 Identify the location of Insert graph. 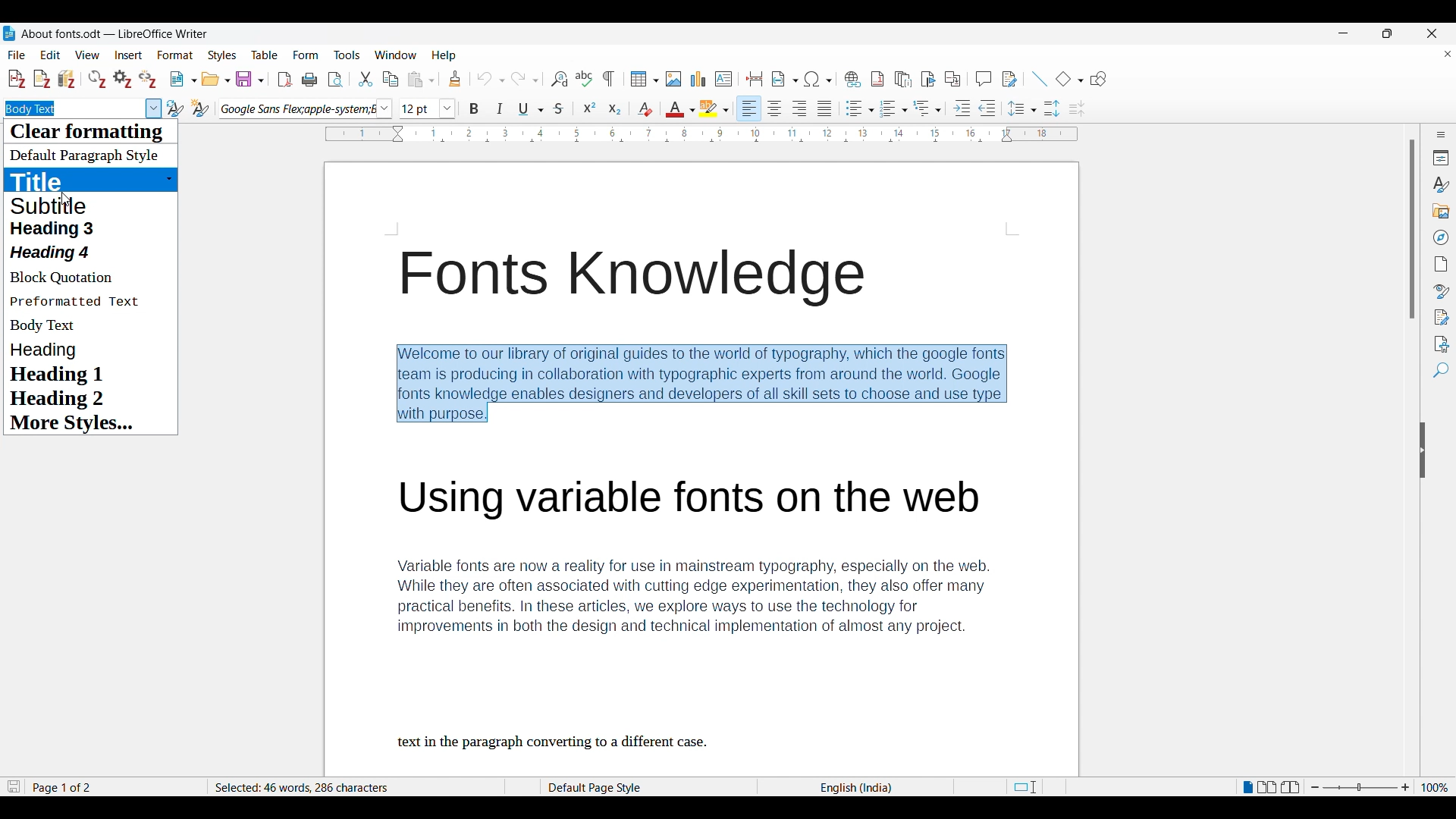
(698, 78).